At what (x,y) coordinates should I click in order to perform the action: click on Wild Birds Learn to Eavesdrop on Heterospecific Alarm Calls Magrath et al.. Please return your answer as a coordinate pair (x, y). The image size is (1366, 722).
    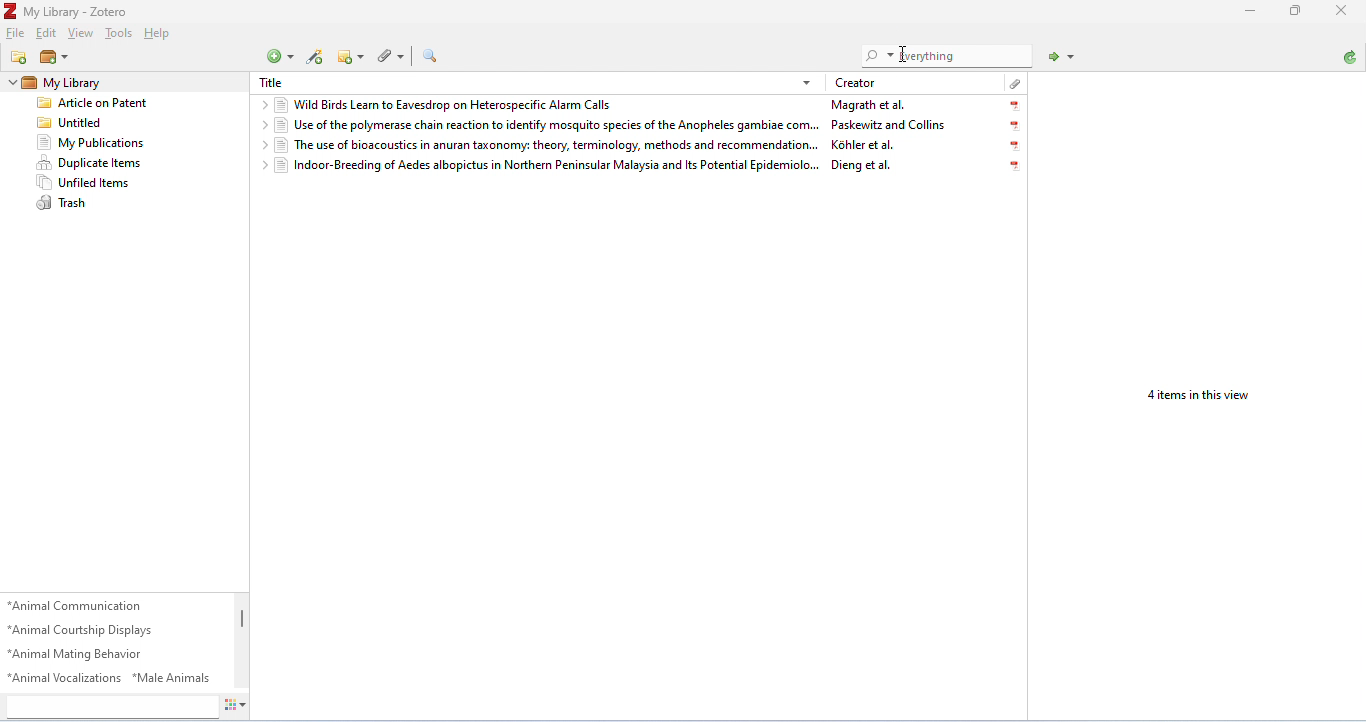
    Looking at the image, I should click on (641, 105).